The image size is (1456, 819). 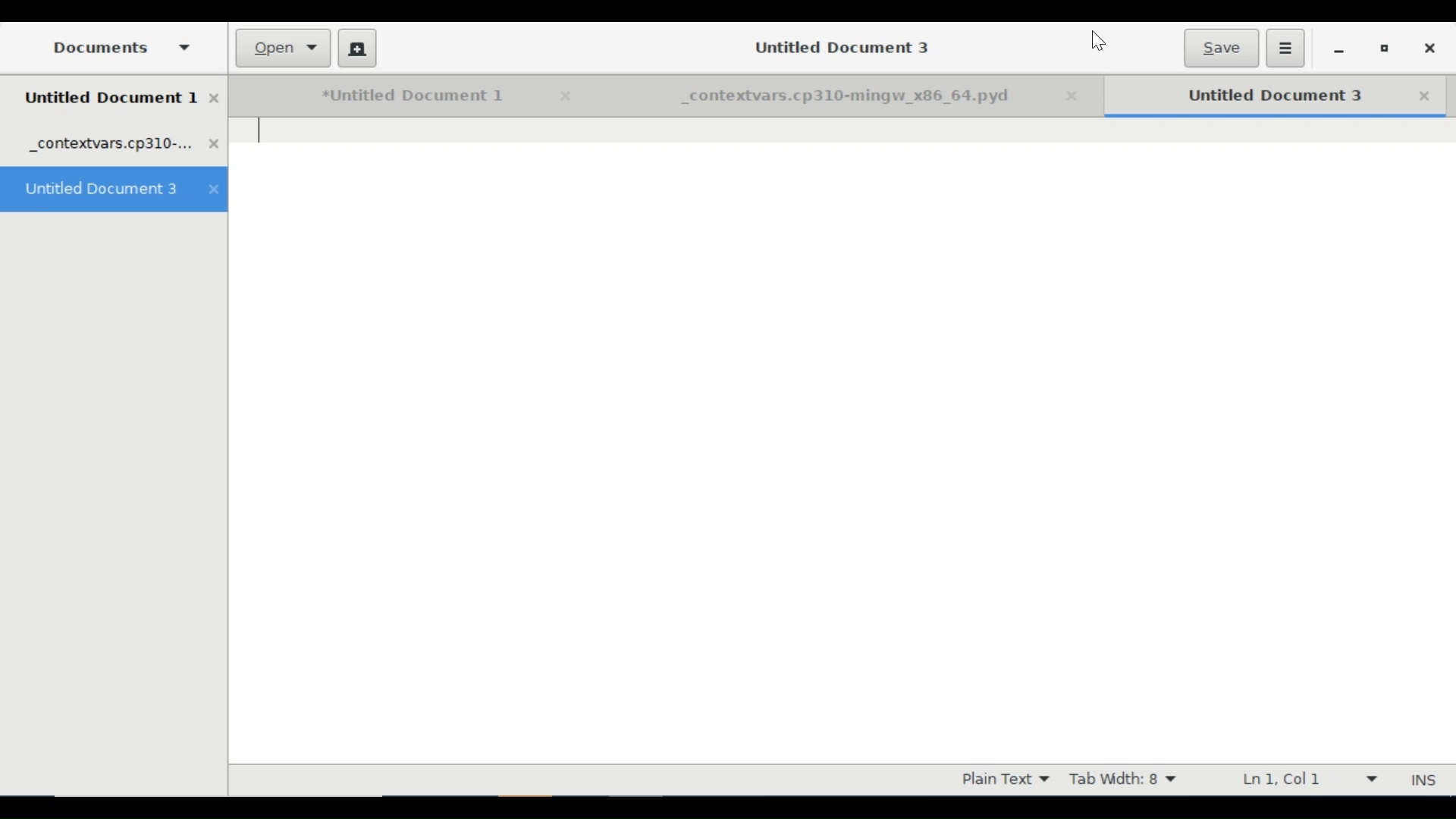 I want to click on _contextvars.cp310-minger_xc86_64.pyd Tab, so click(x=821, y=97).